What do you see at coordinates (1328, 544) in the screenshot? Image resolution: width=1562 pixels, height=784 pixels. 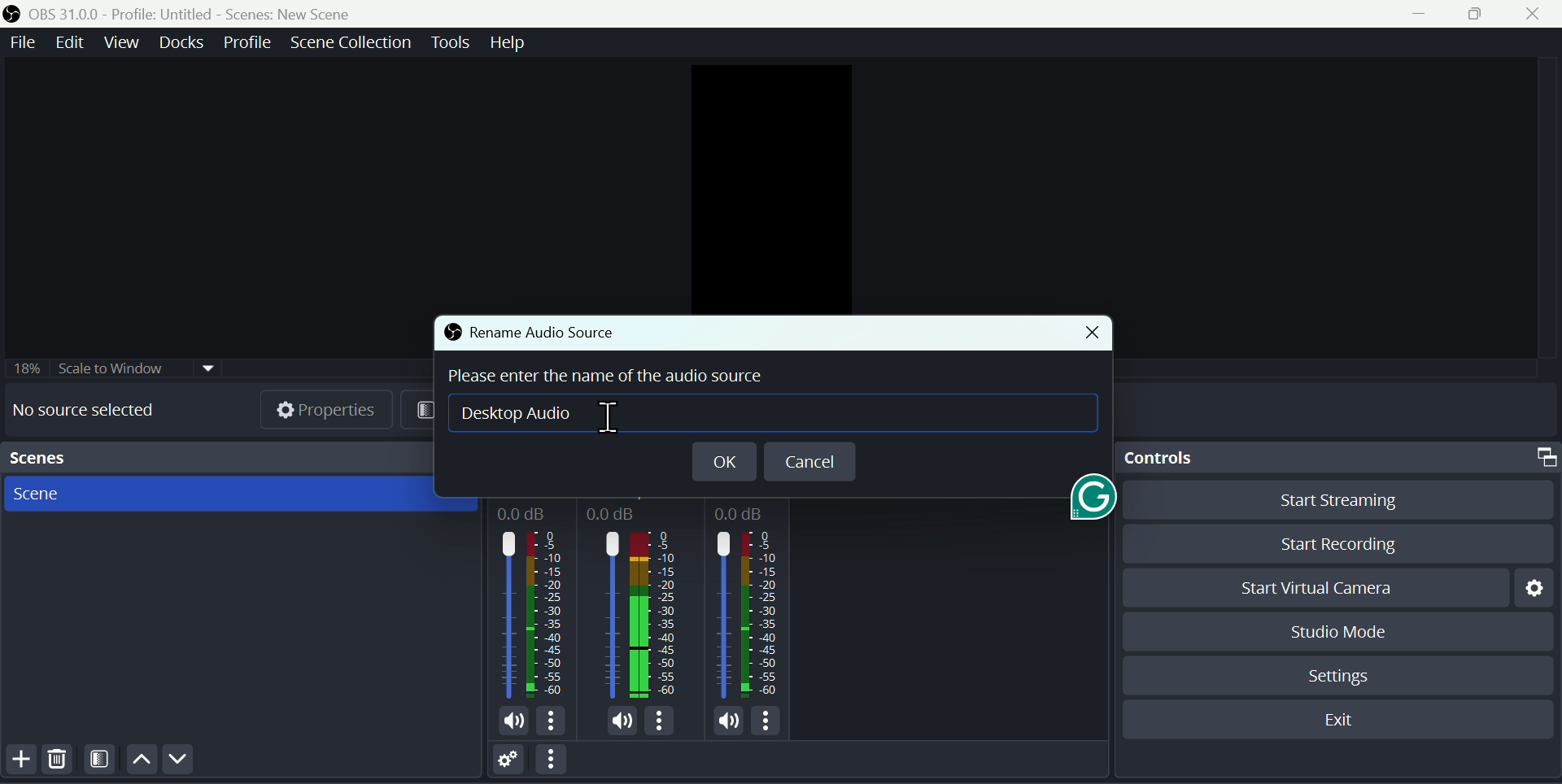 I see `Start recording` at bounding box center [1328, 544].